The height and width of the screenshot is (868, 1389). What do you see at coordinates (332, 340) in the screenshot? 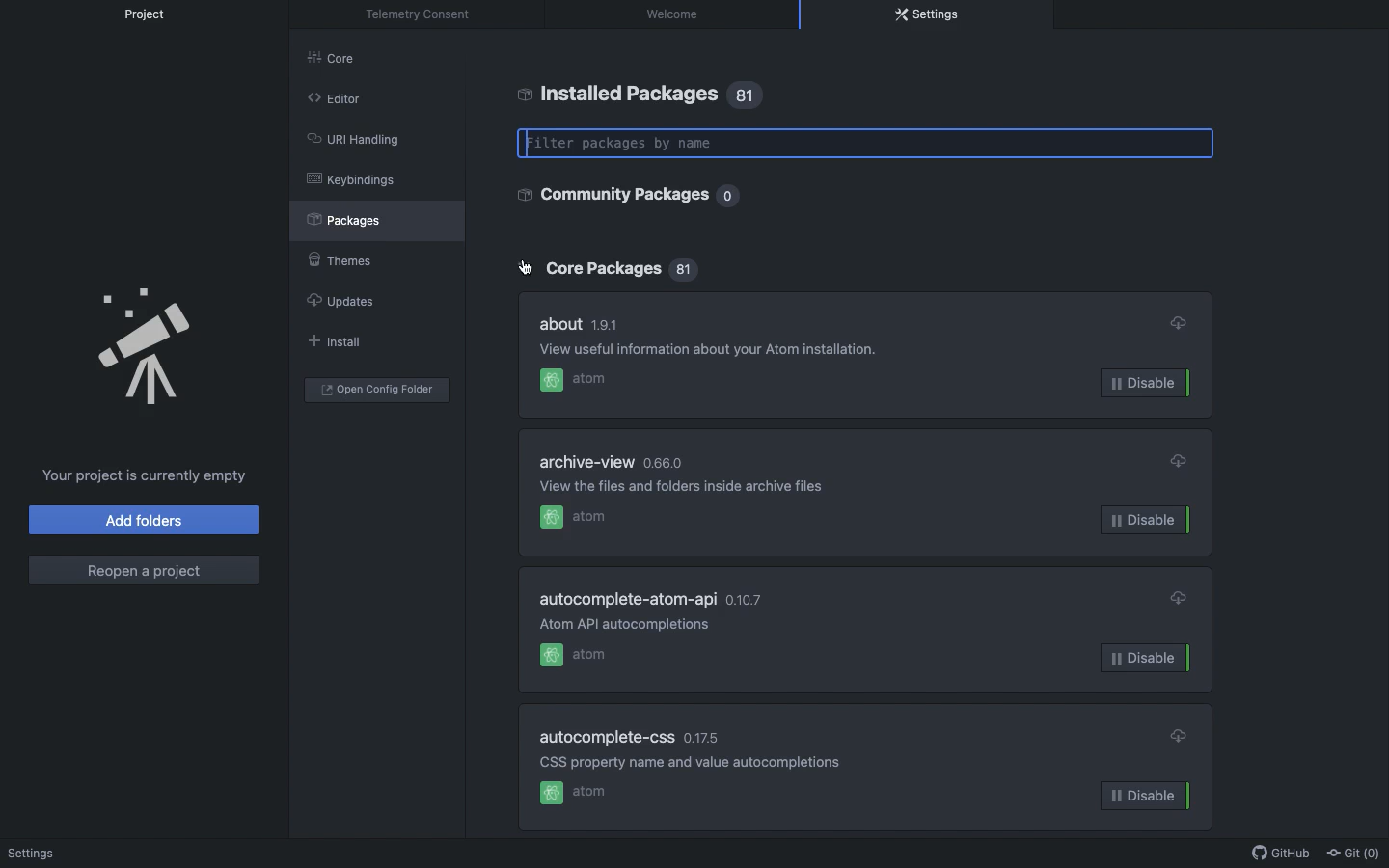
I see `Install` at bounding box center [332, 340].